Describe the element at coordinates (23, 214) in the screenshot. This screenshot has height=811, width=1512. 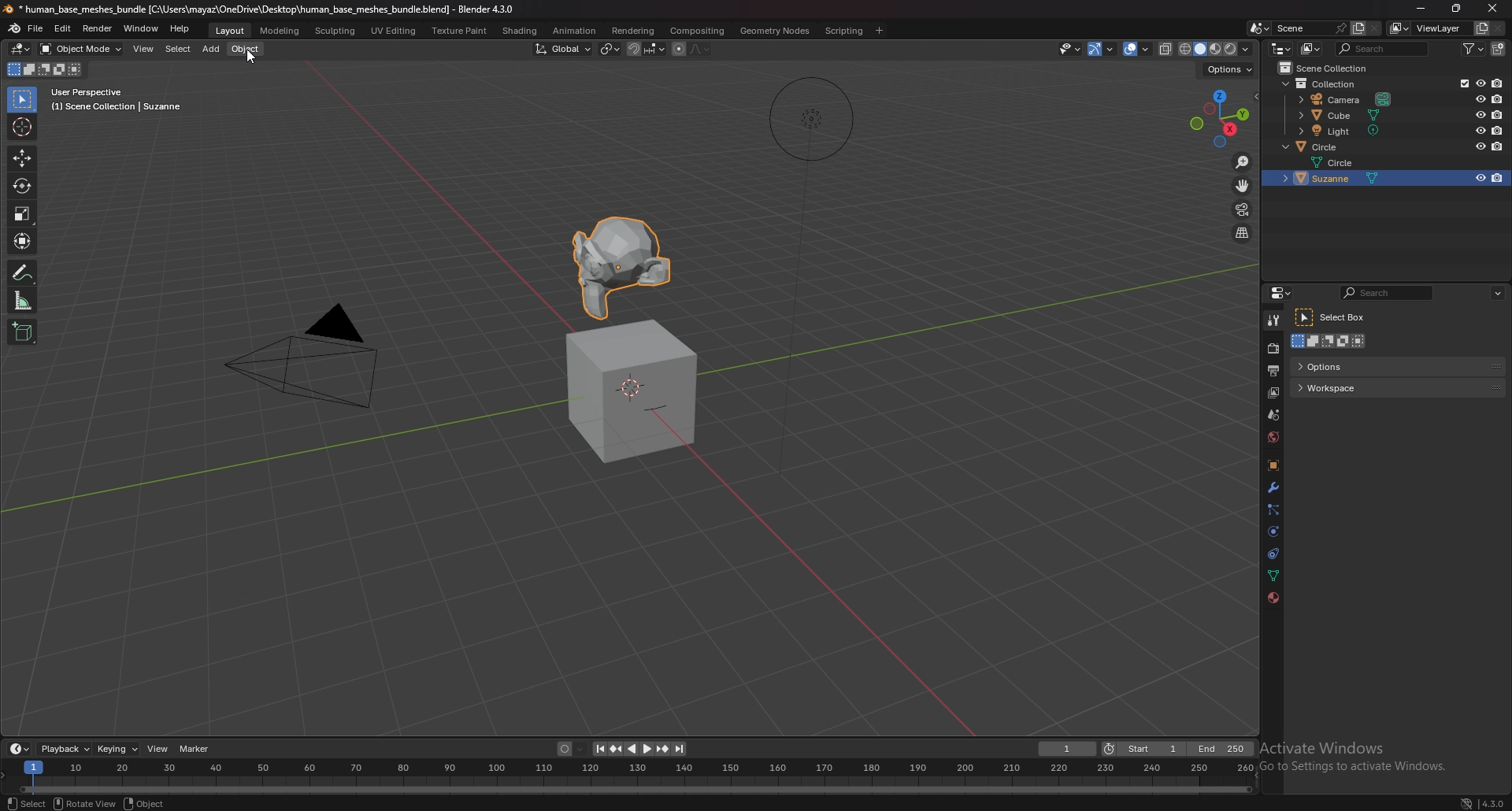
I see `scale` at that location.